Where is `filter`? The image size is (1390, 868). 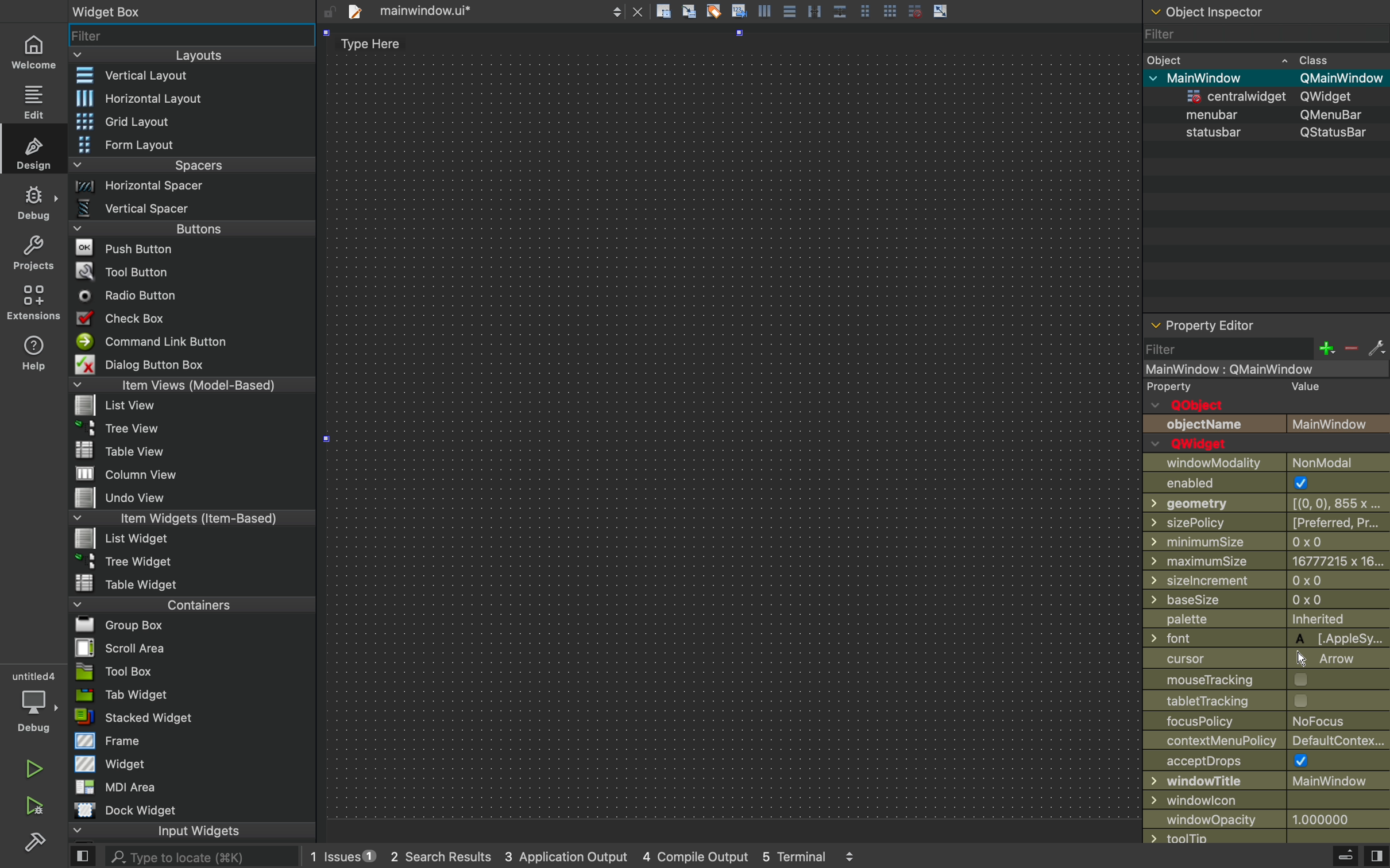 filter is located at coordinates (1267, 349).